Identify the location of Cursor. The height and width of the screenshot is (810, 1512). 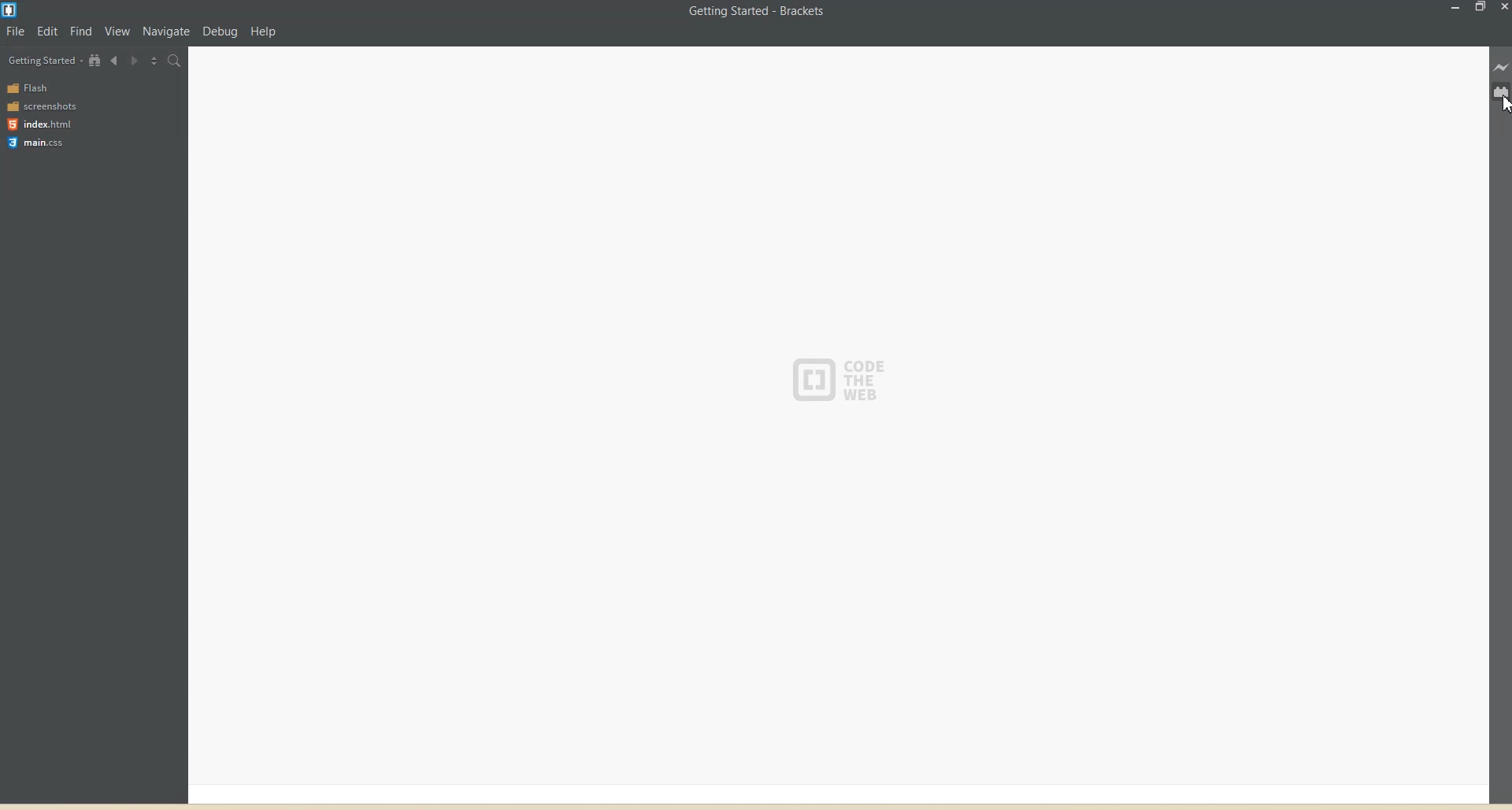
(1503, 105).